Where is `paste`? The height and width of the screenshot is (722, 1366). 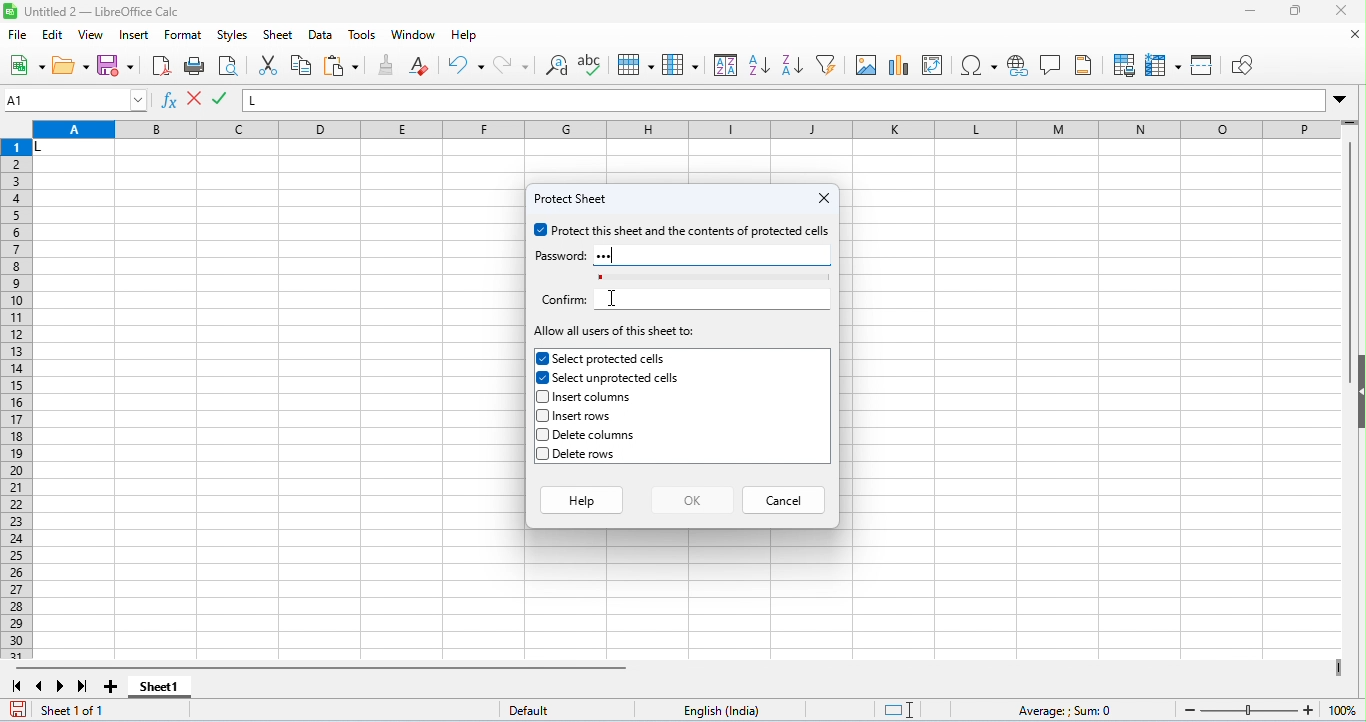
paste is located at coordinates (342, 67).